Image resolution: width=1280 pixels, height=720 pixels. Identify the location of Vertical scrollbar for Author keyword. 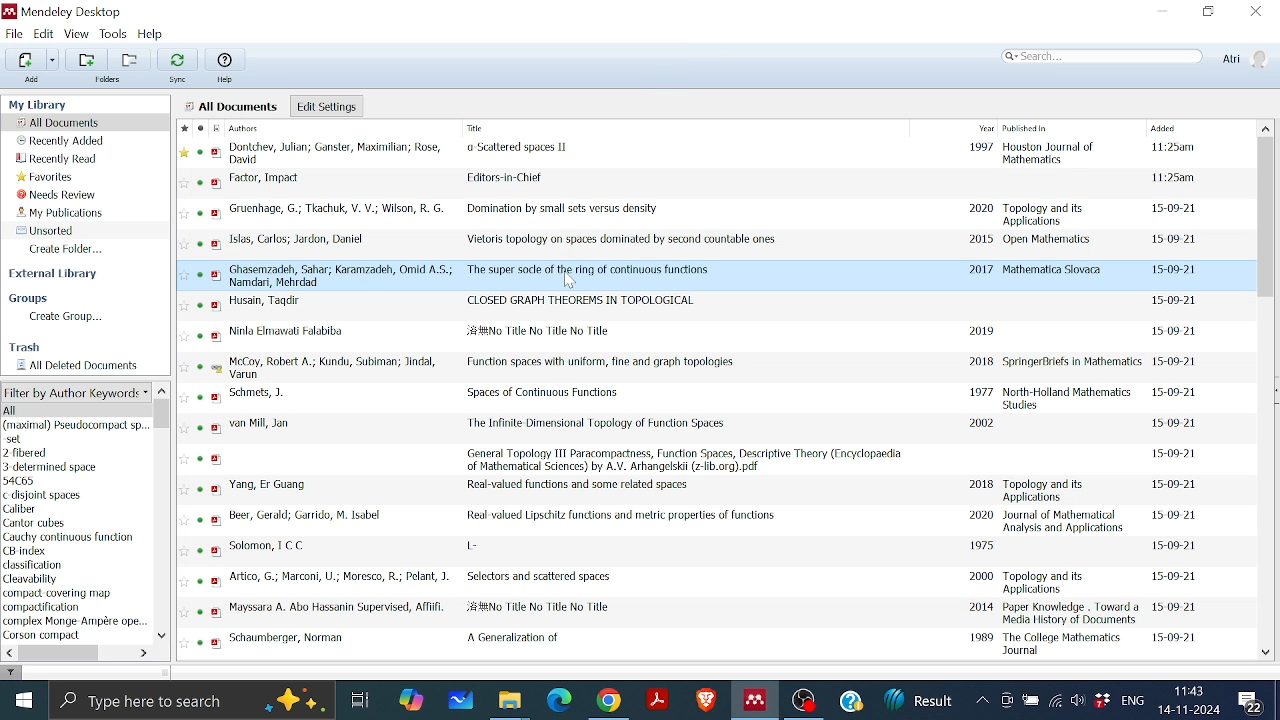
(161, 414).